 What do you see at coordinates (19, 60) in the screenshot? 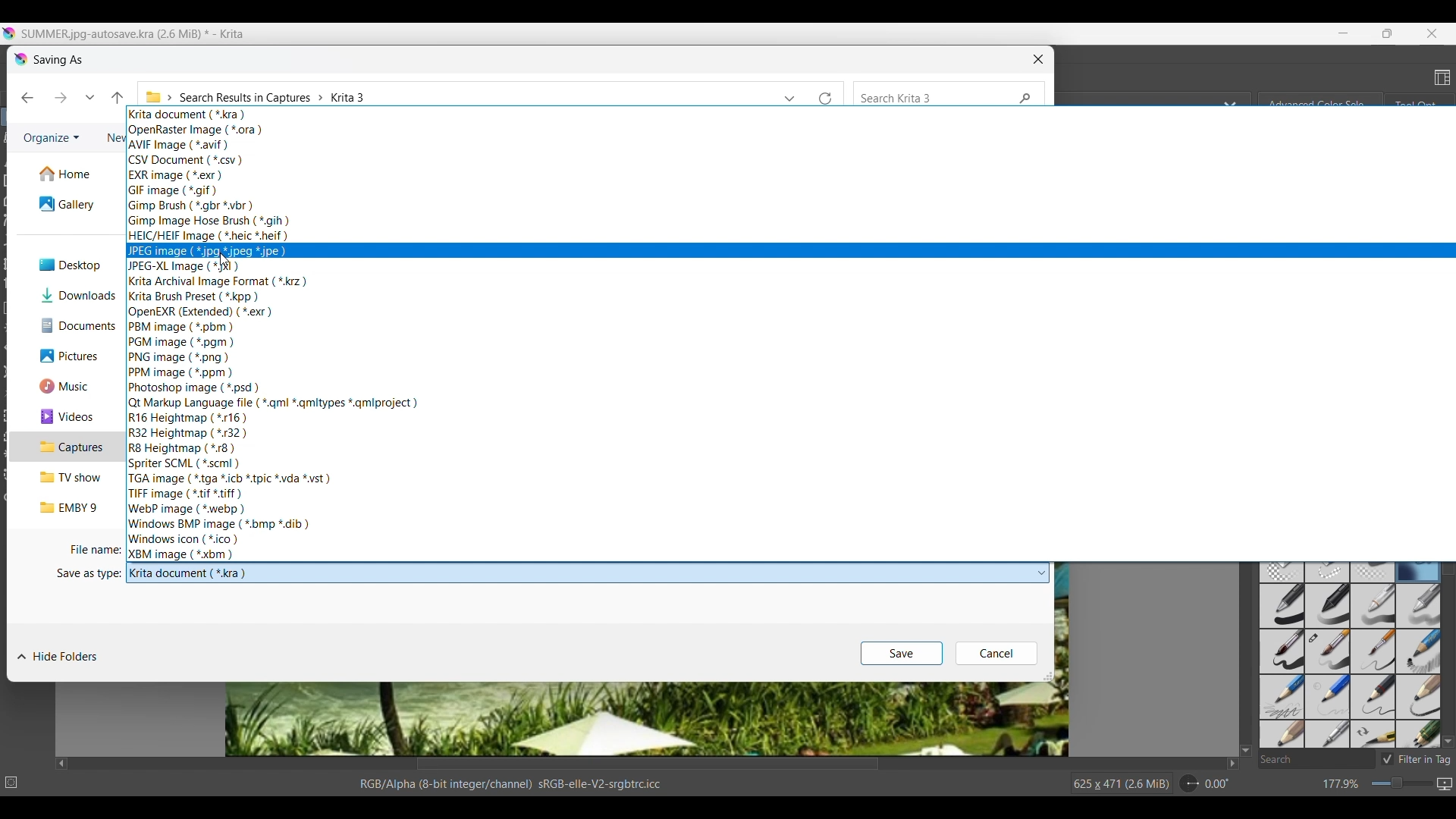
I see `Software logo` at bounding box center [19, 60].